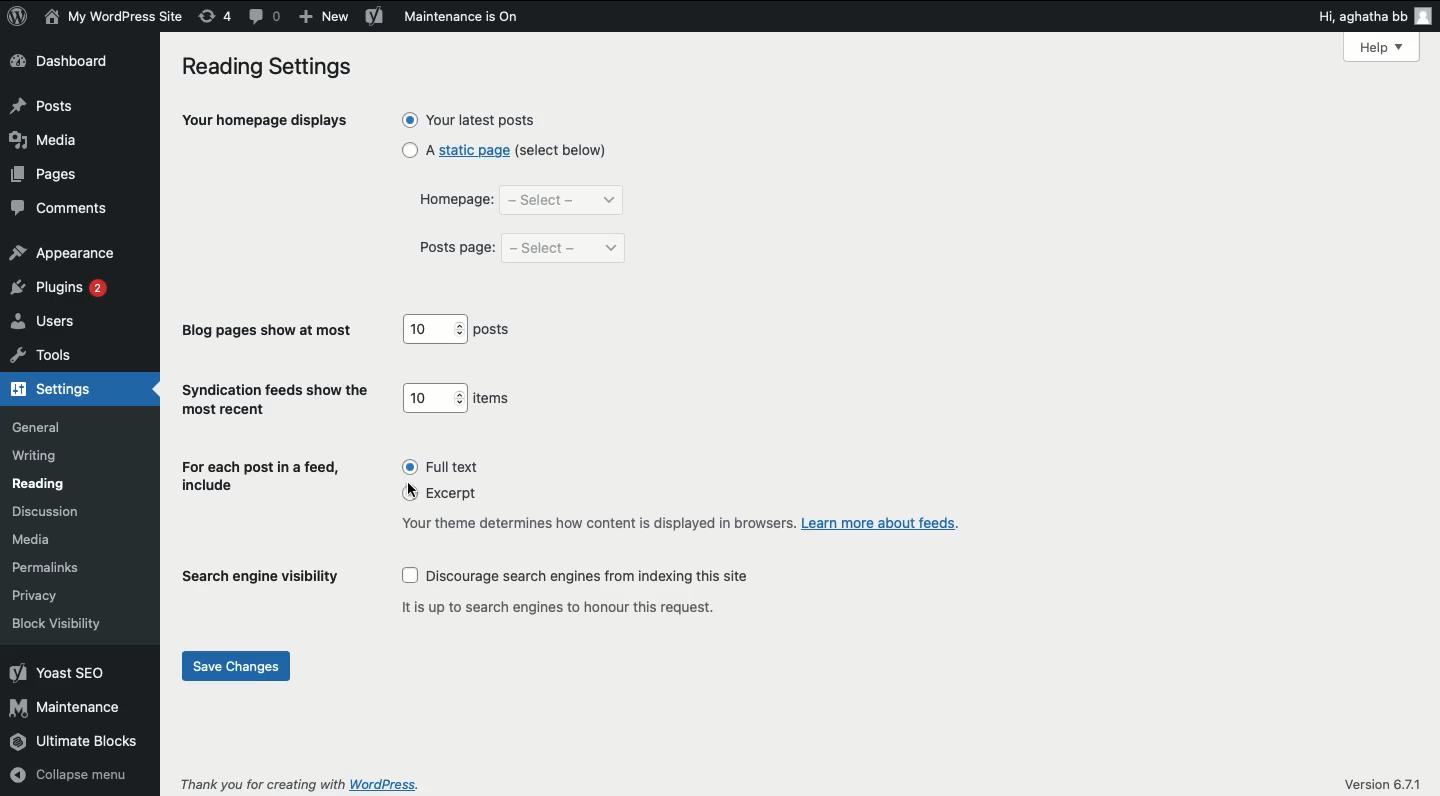 This screenshot has width=1440, height=796. What do you see at coordinates (323, 15) in the screenshot?
I see `add new` at bounding box center [323, 15].